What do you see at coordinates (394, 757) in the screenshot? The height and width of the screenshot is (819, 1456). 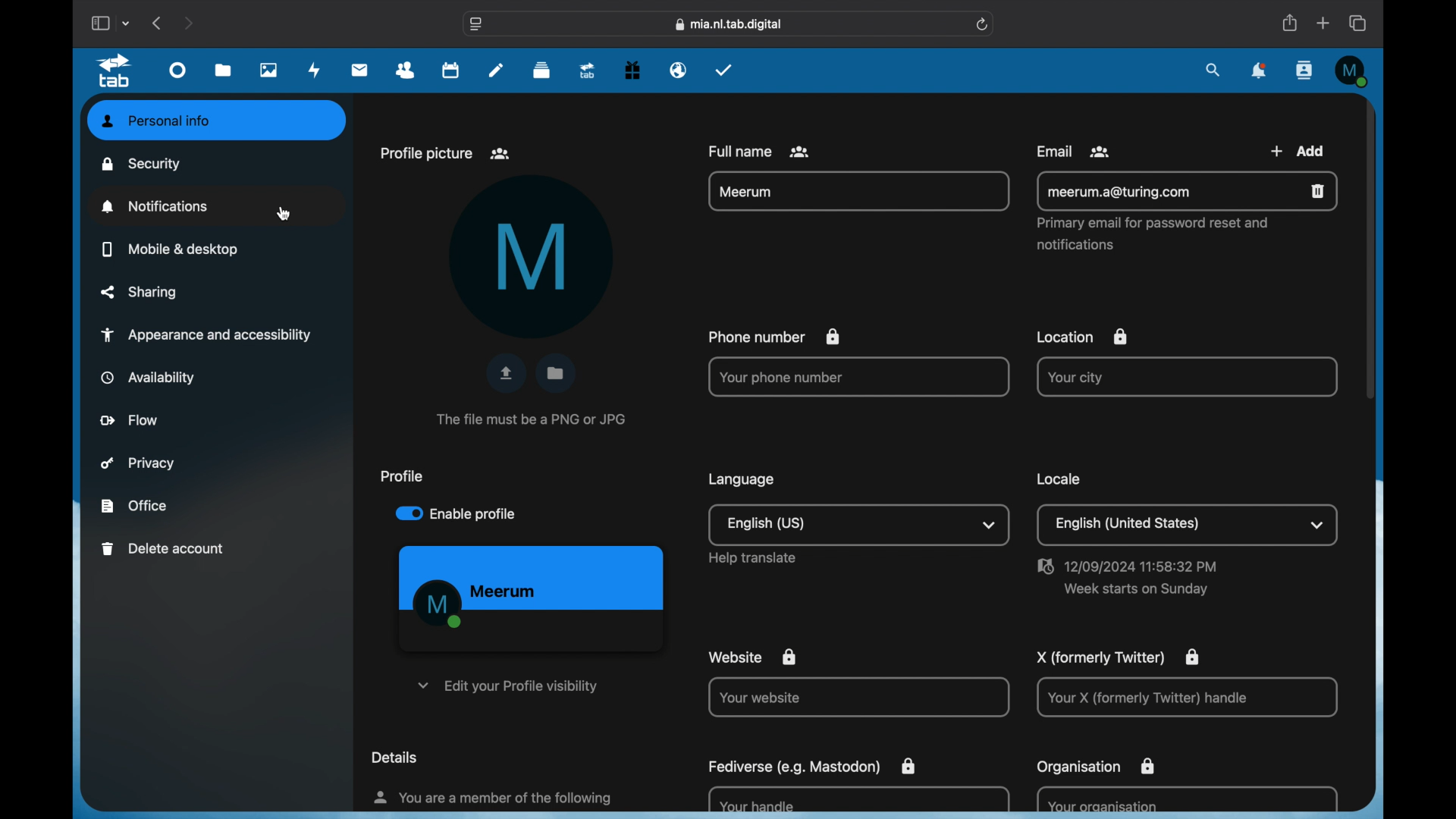 I see `details` at bounding box center [394, 757].